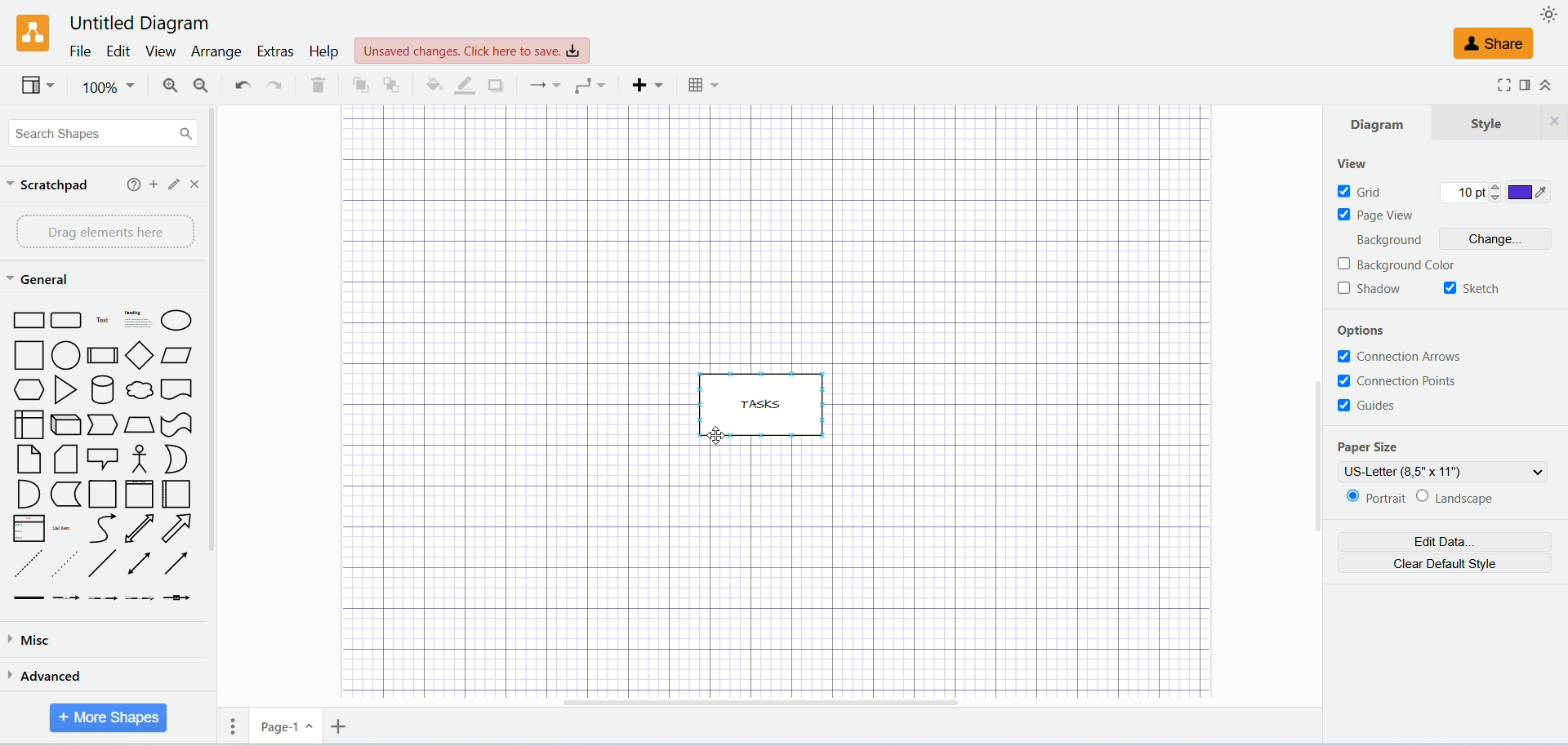 Image resolution: width=1568 pixels, height=746 pixels. Describe the element at coordinates (101, 389) in the screenshot. I see `Cylinder` at that location.